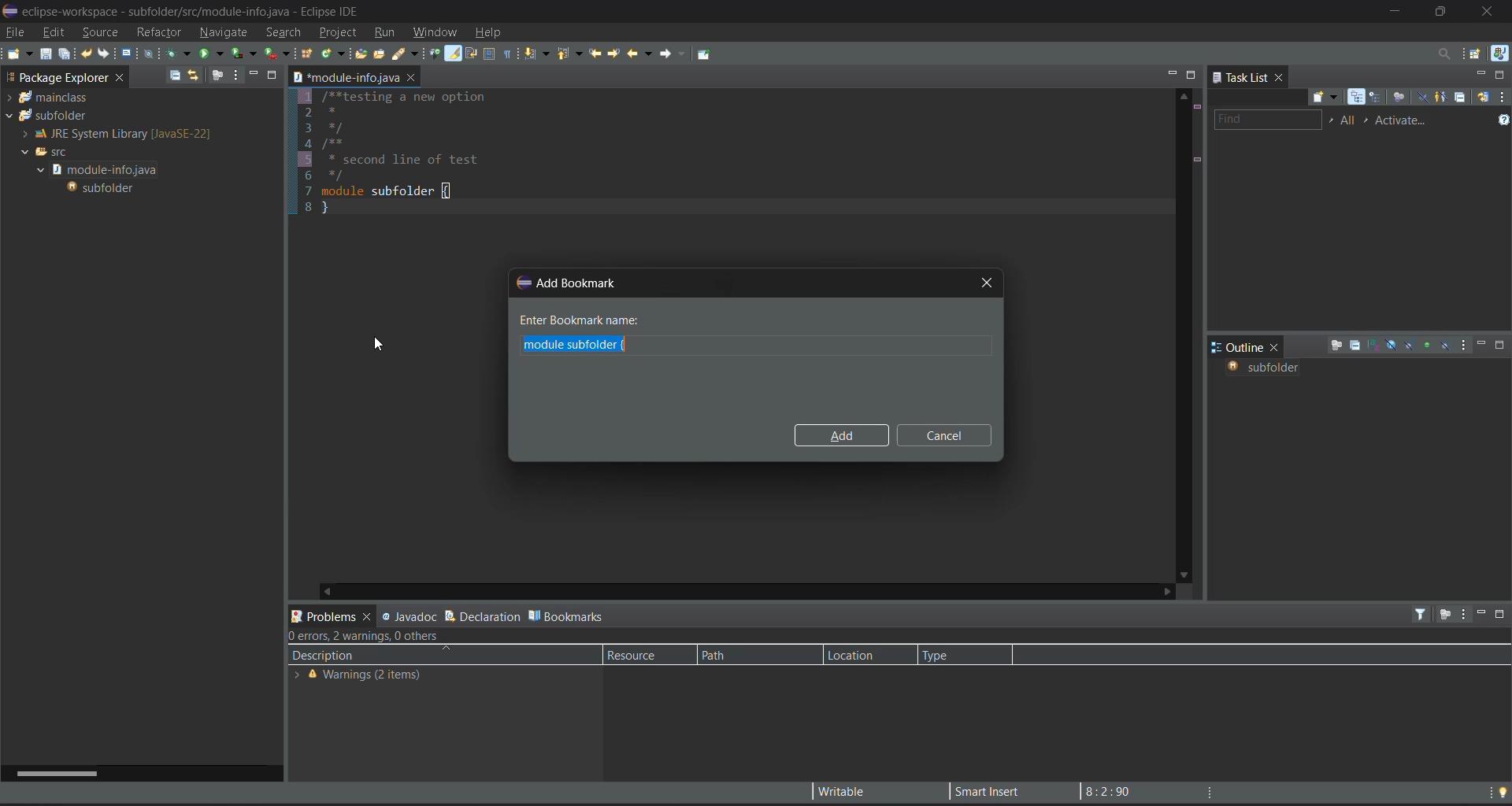  What do you see at coordinates (858, 655) in the screenshot?
I see `location` at bounding box center [858, 655].